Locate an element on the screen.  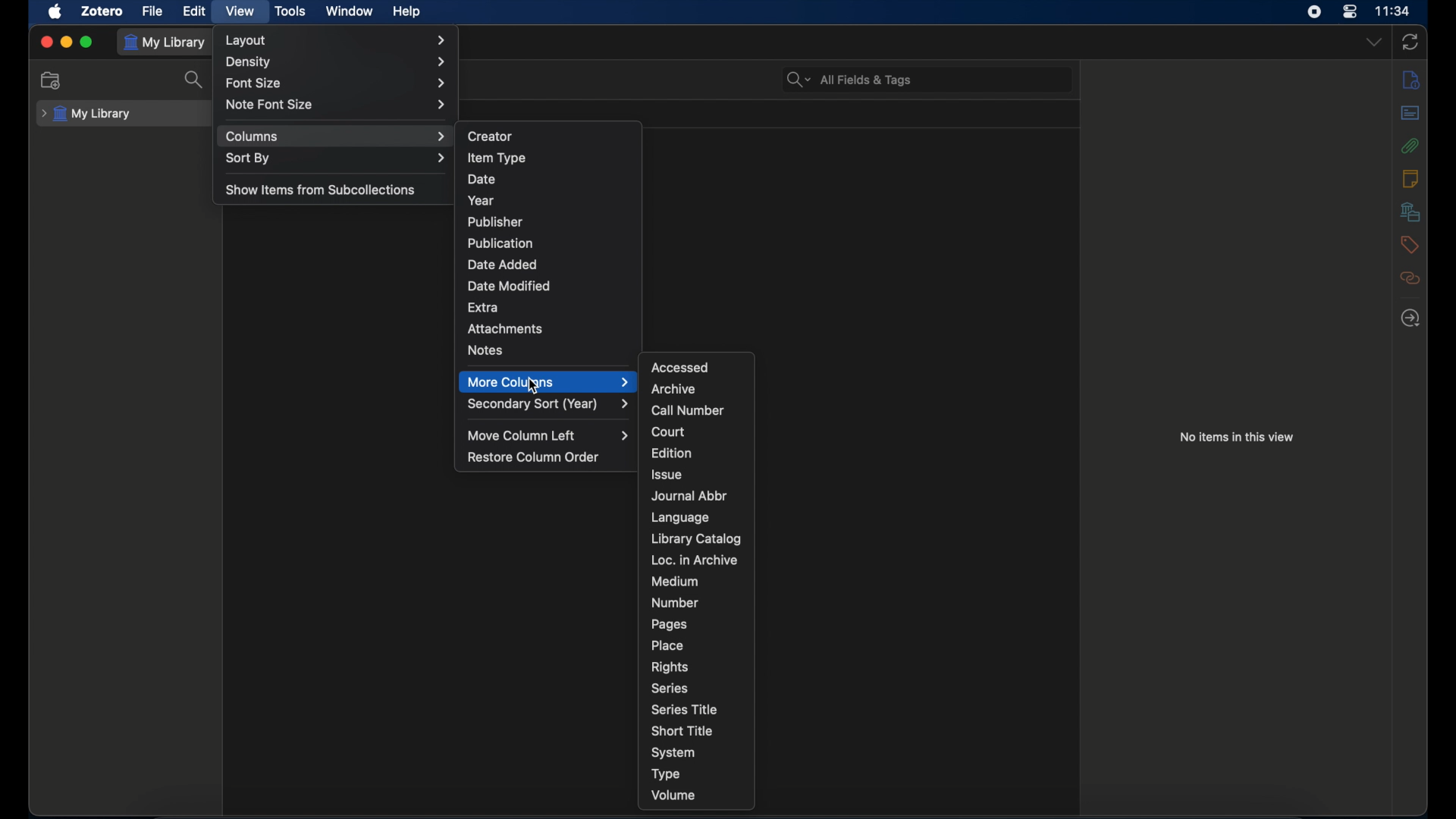
related is located at coordinates (1410, 278).